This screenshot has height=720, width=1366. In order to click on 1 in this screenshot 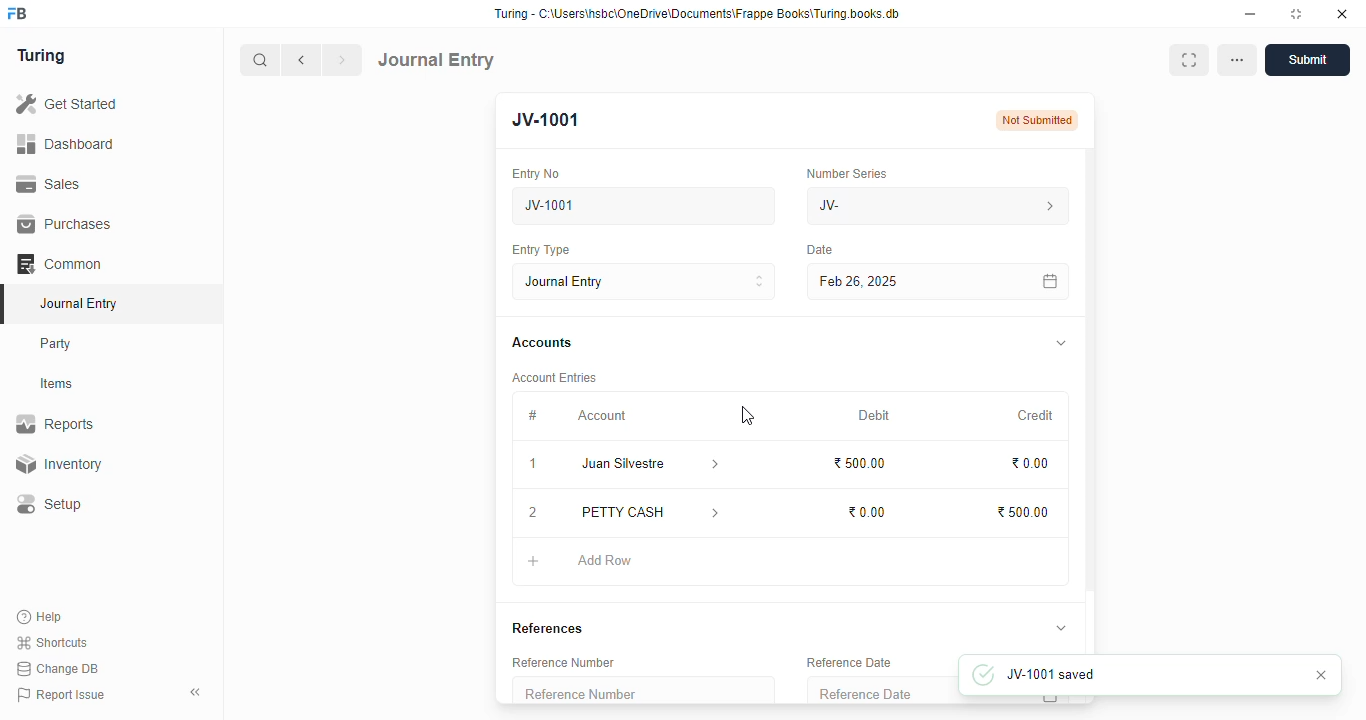, I will do `click(535, 466)`.